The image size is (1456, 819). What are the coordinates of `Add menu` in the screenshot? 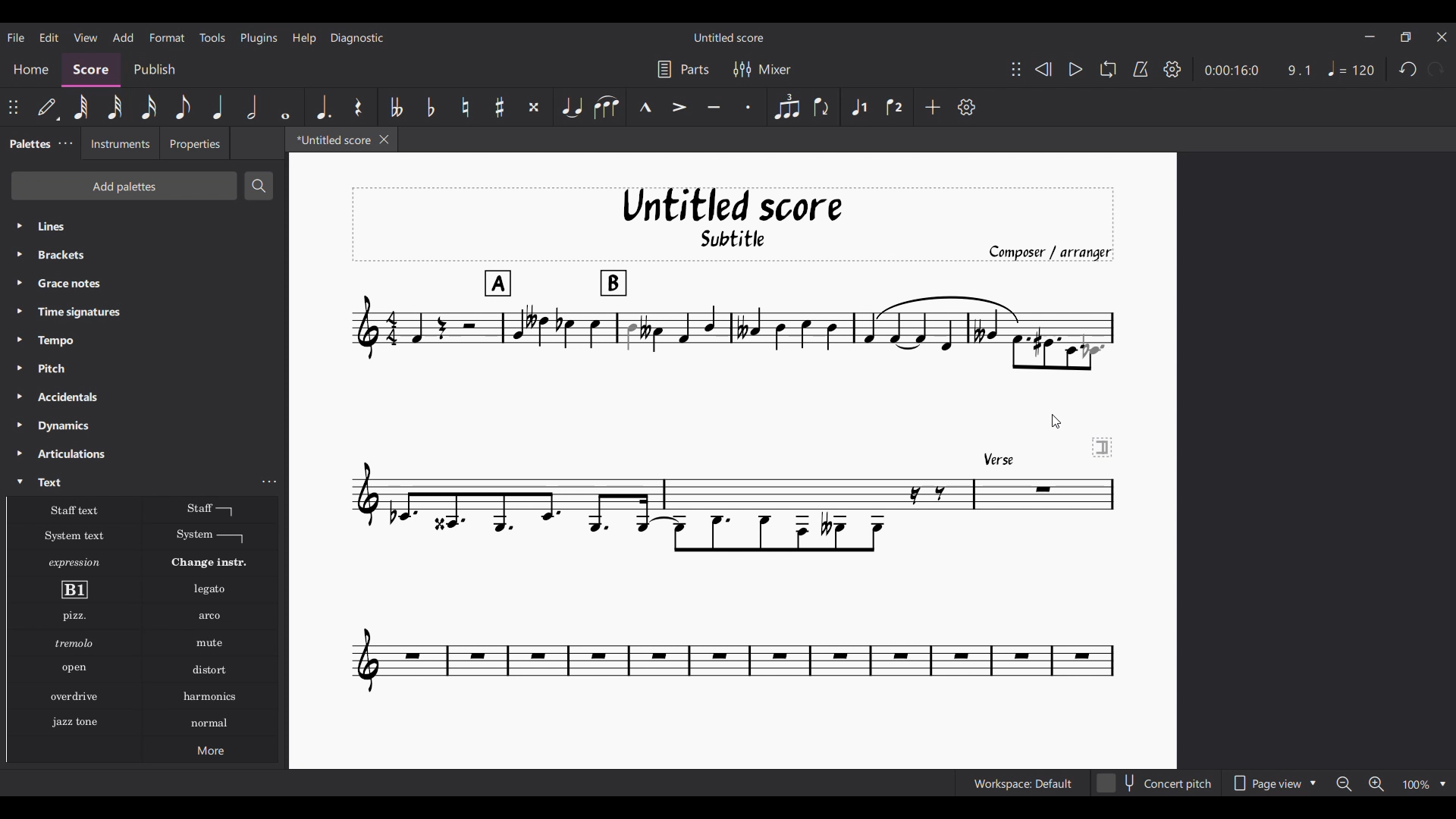 It's located at (124, 37).